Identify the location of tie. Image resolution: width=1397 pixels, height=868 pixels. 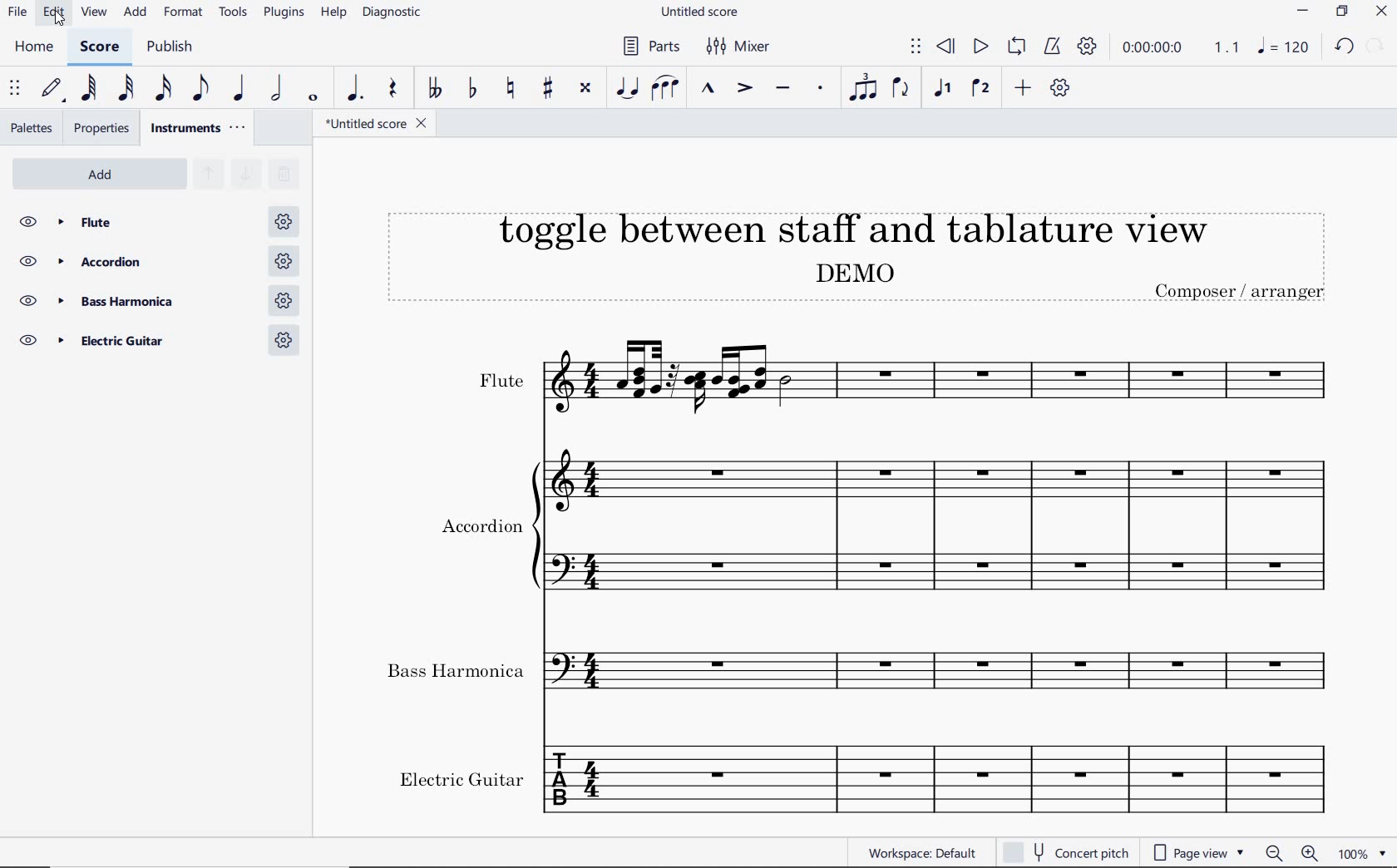
(625, 87).